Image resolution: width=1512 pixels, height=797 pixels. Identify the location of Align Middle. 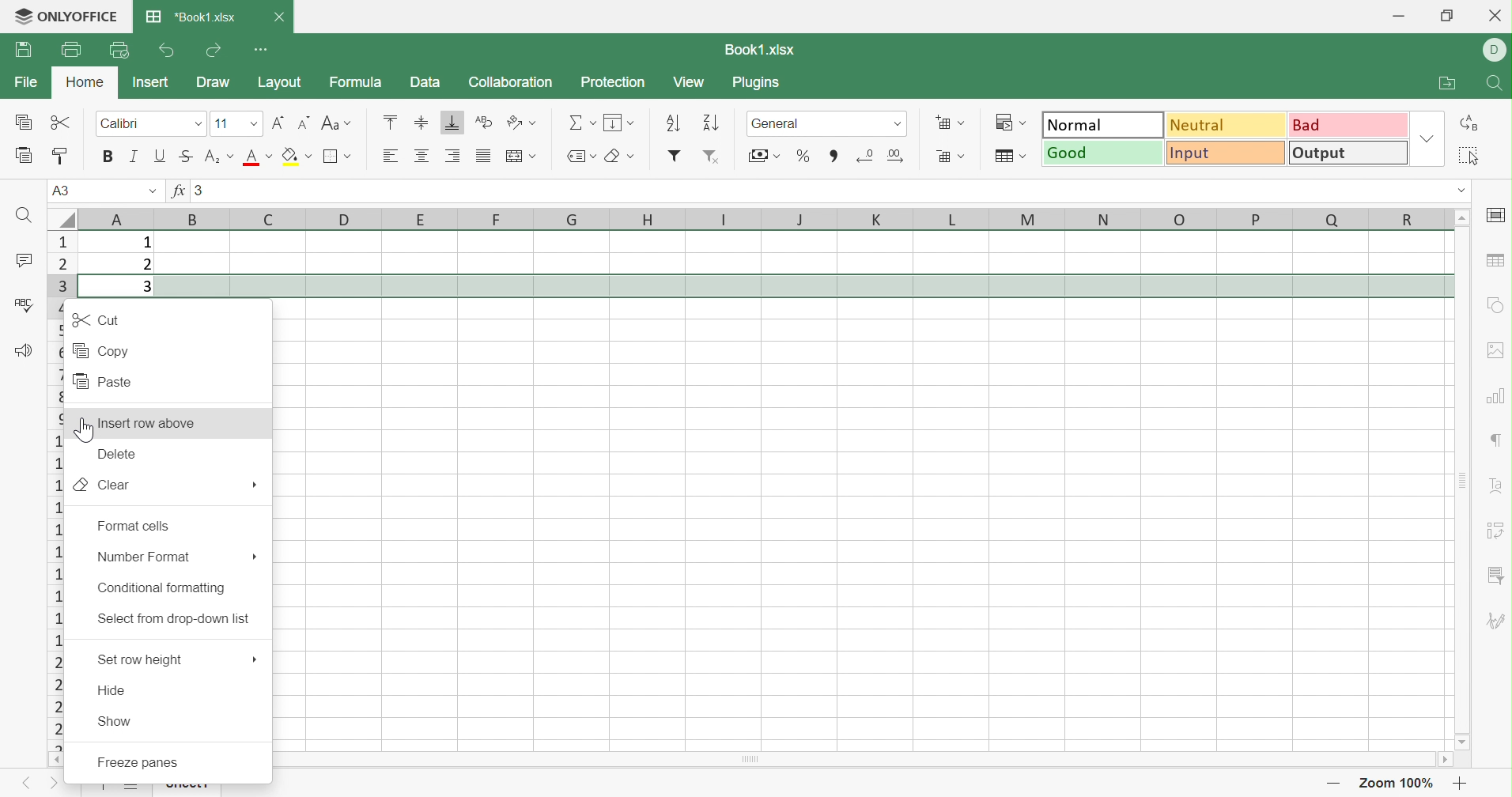
(421, 122).